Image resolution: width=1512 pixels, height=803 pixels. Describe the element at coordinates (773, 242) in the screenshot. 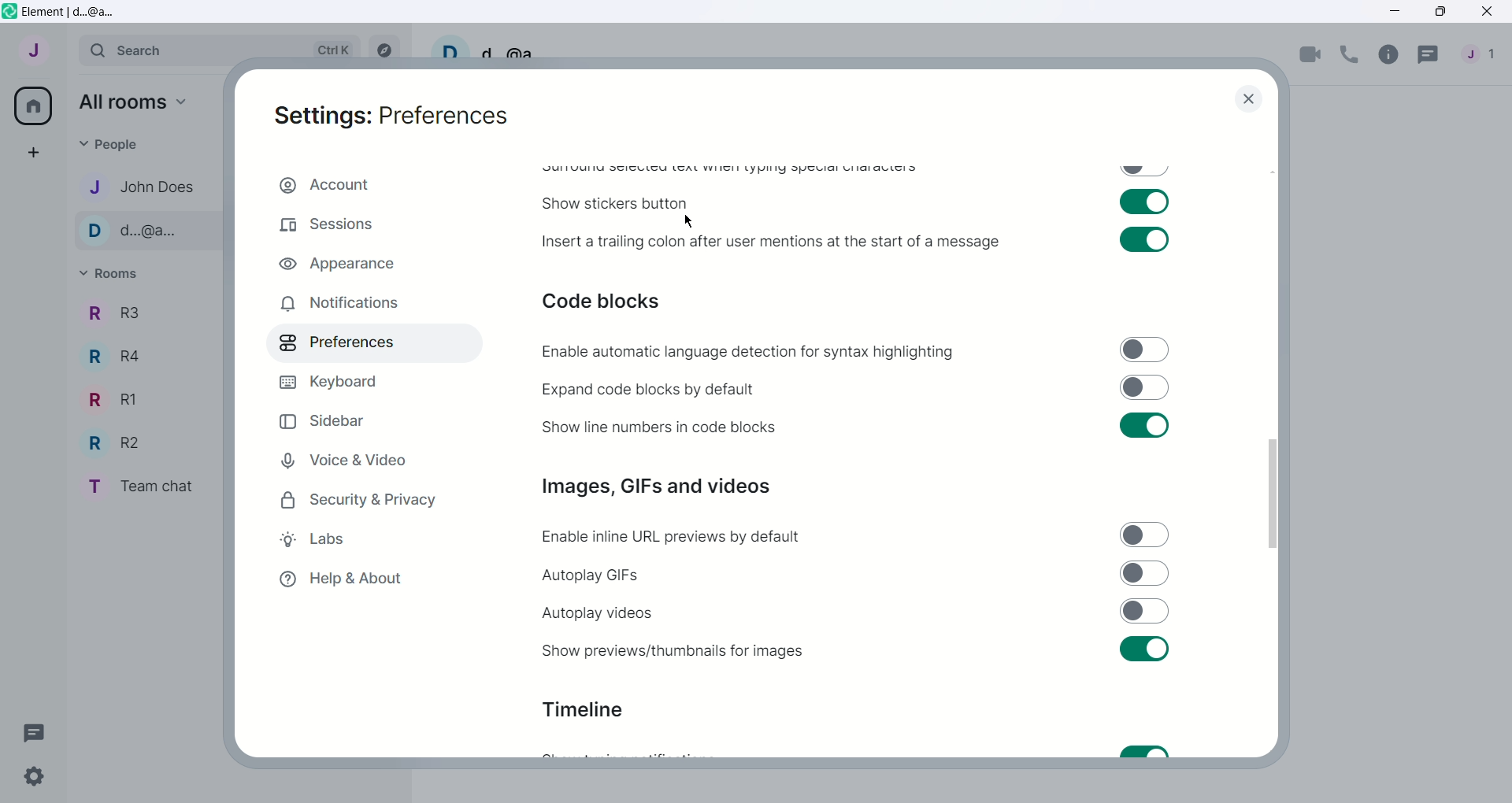

I see `Insert a trailing colon after user mentions at the start of a message` at that location.